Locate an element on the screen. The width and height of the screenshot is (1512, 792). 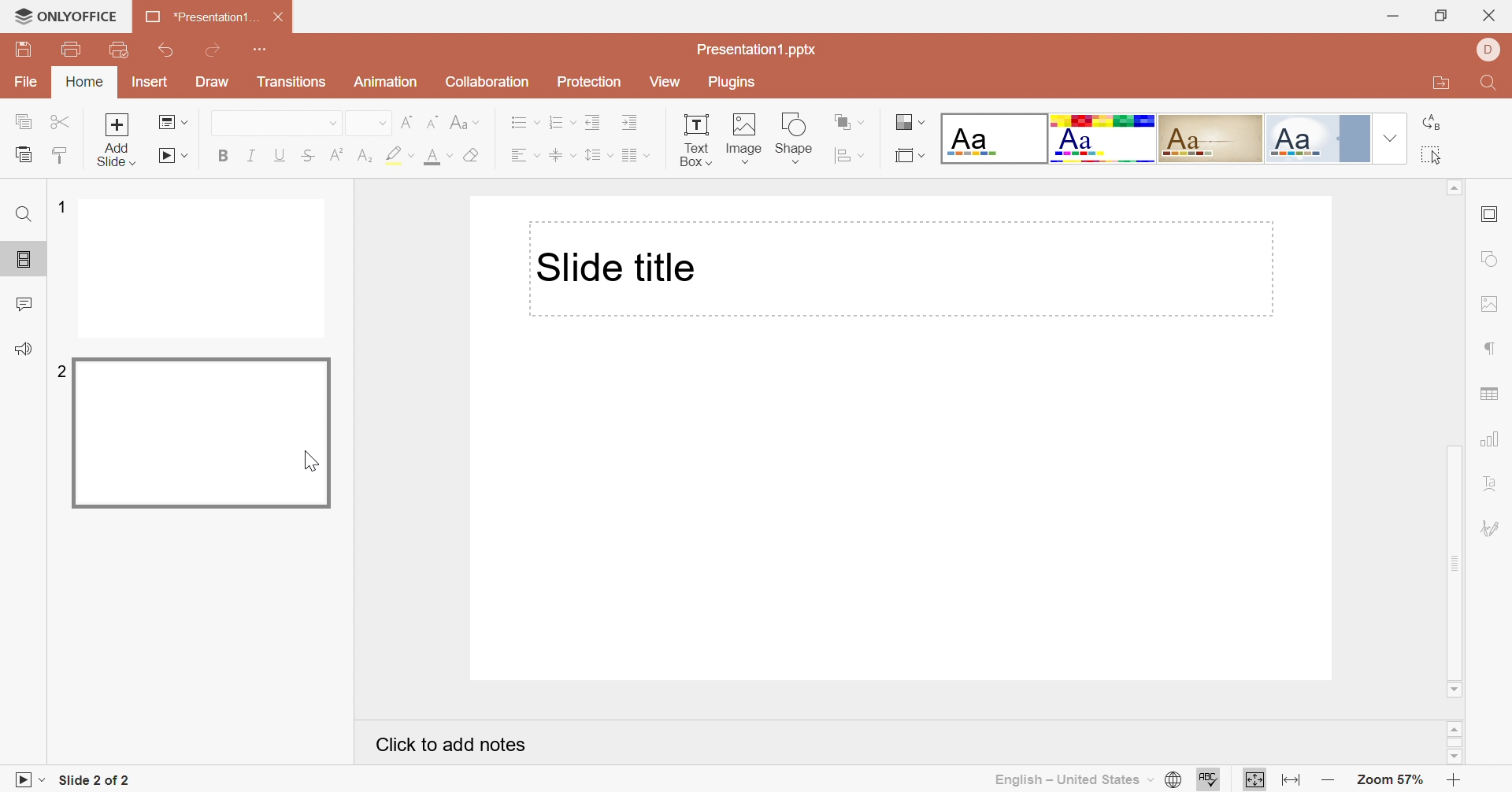
Minimize is located at coordinates (1393, 17).